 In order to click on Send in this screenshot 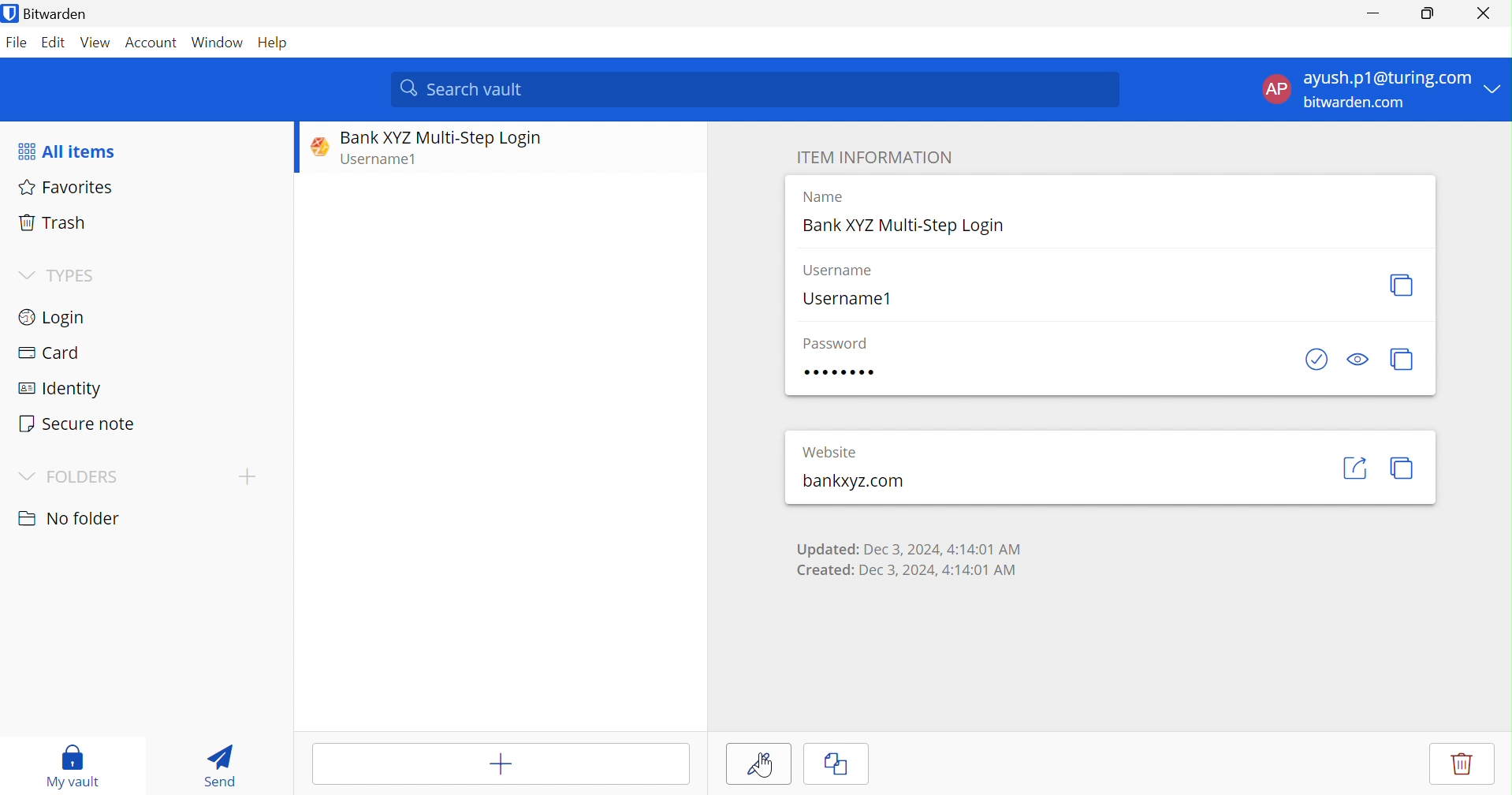, I will do `click(220, 765)`.